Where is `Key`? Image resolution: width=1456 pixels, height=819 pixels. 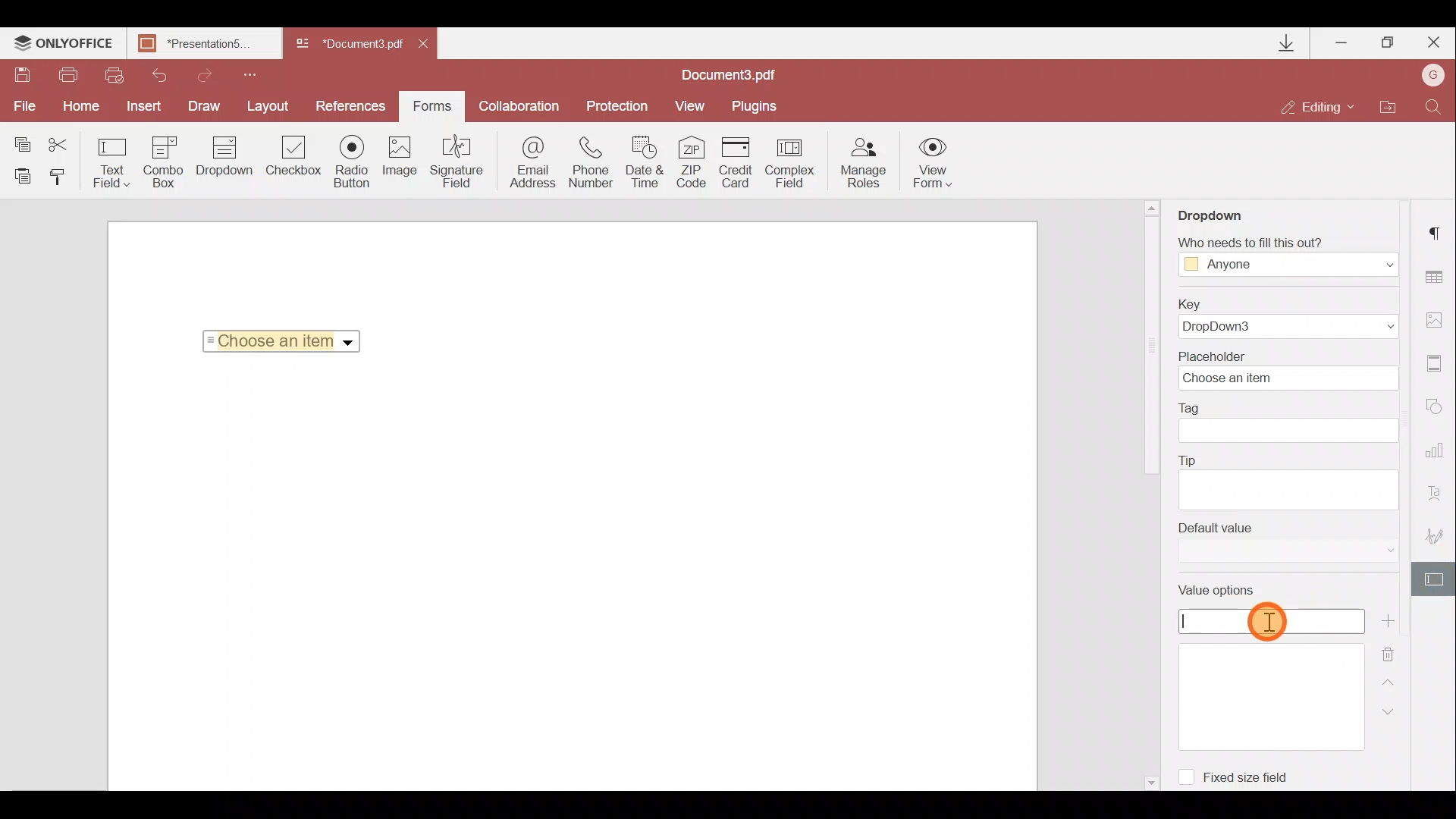
Key is located at coordinates (1292, 317).